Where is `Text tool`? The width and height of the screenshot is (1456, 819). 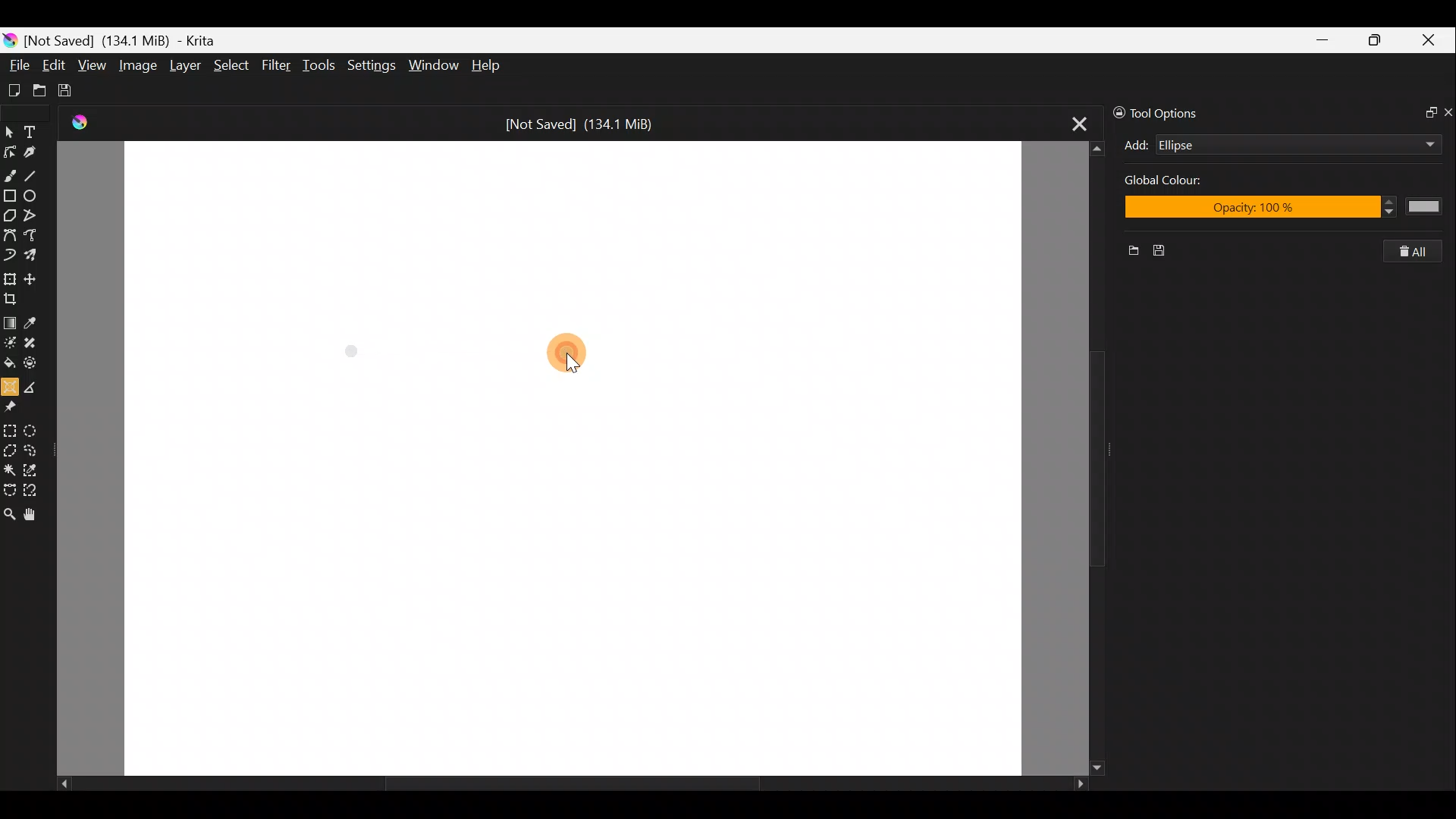
Text tool is located at coordinates (33, 129).